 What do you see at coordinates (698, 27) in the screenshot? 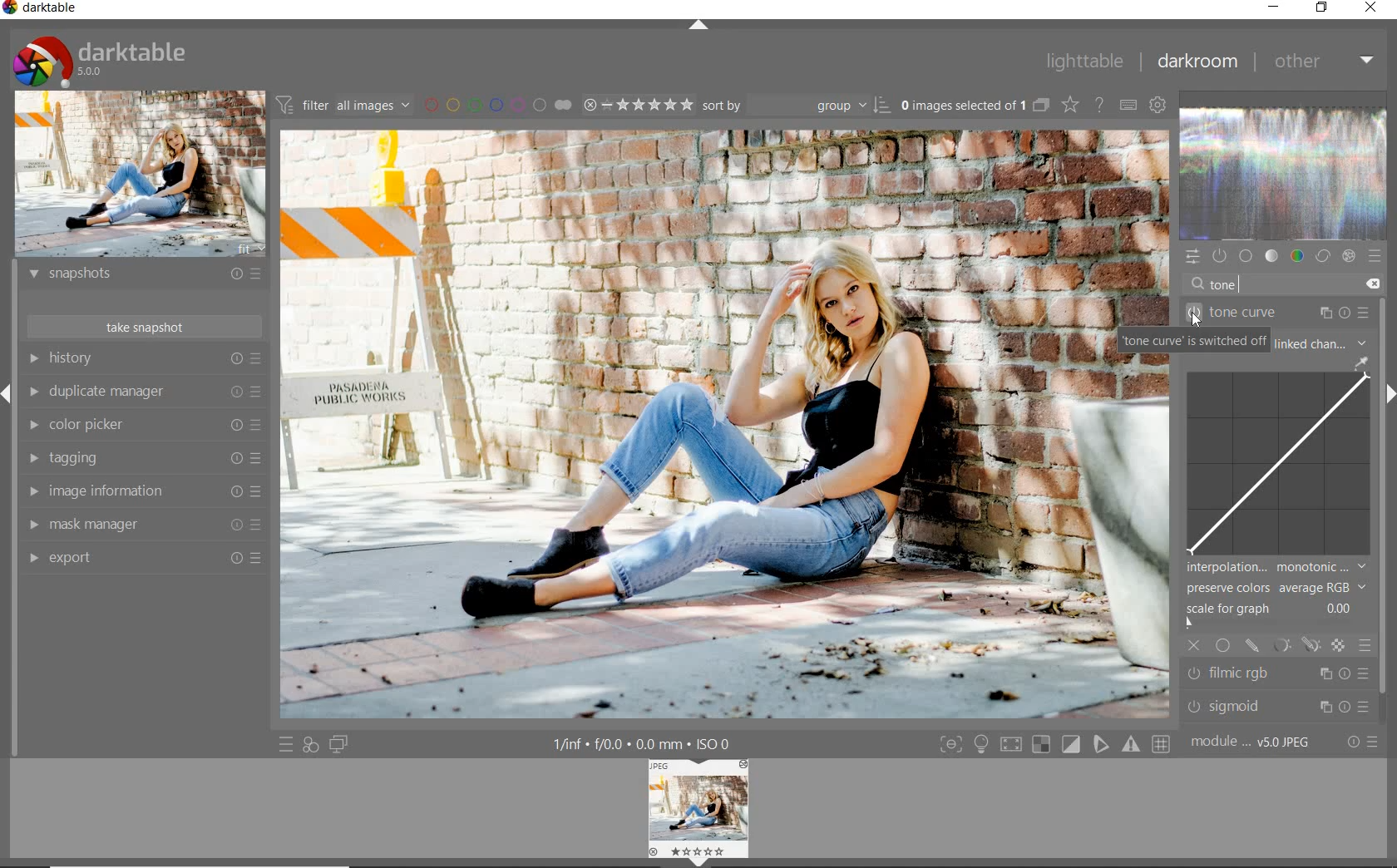
I see `expand/collapse` at bounding box center [698, 27].